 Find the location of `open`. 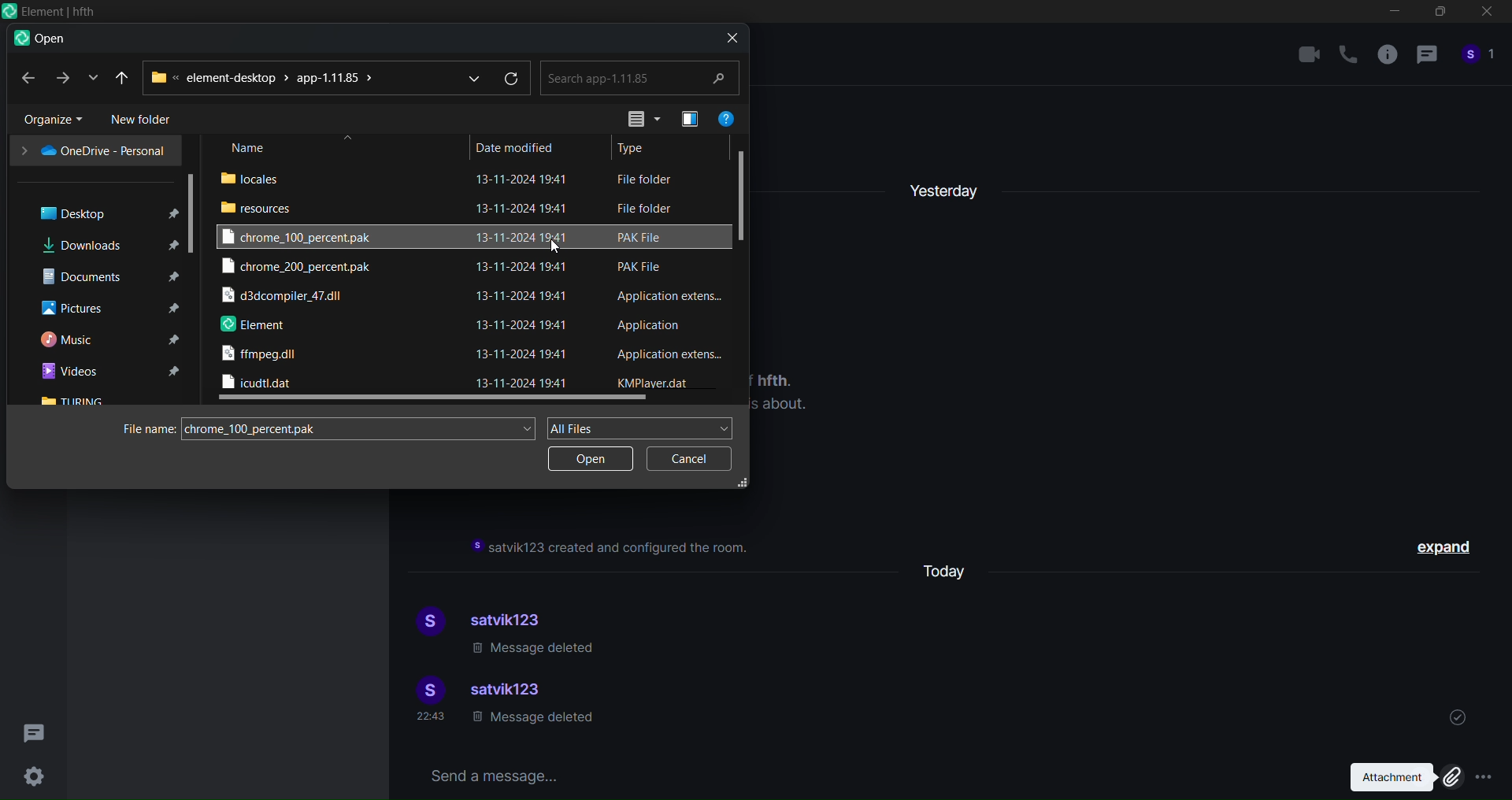

open is located at coordinates (39, 39).